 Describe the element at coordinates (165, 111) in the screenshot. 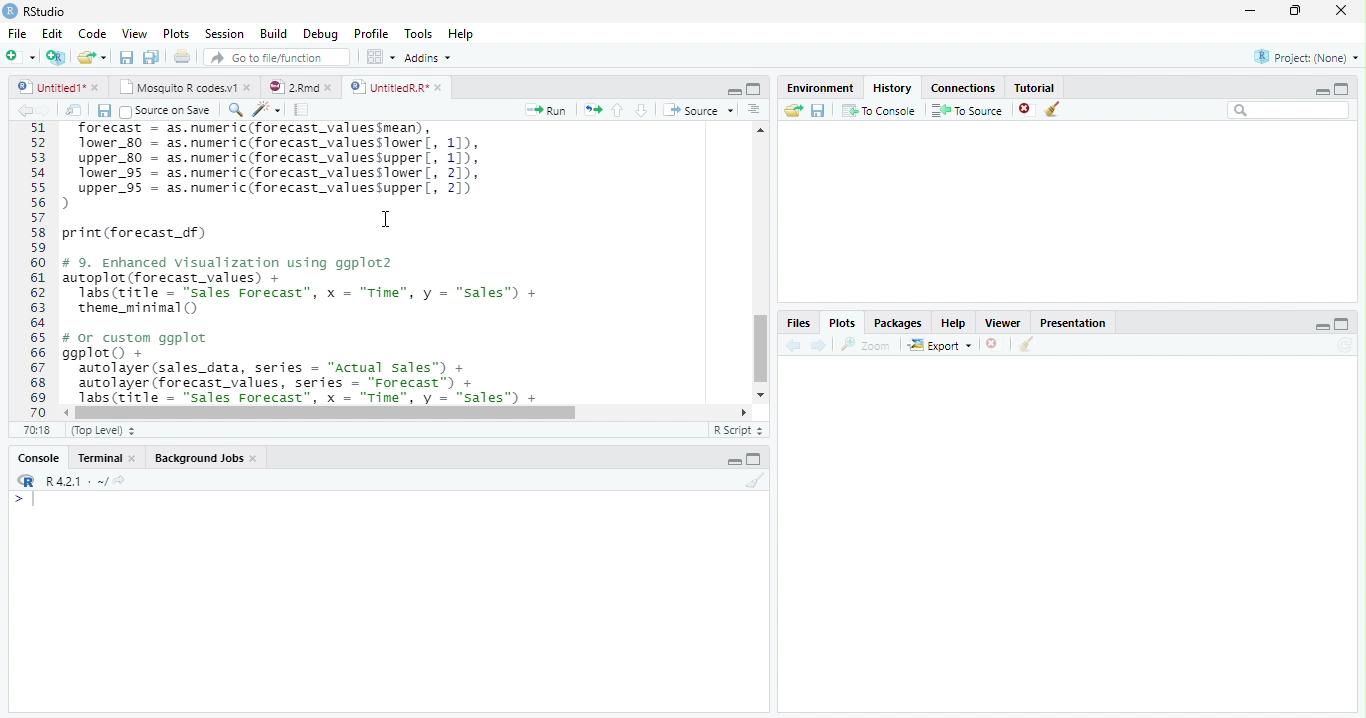

I see `Source on Save` at that location.